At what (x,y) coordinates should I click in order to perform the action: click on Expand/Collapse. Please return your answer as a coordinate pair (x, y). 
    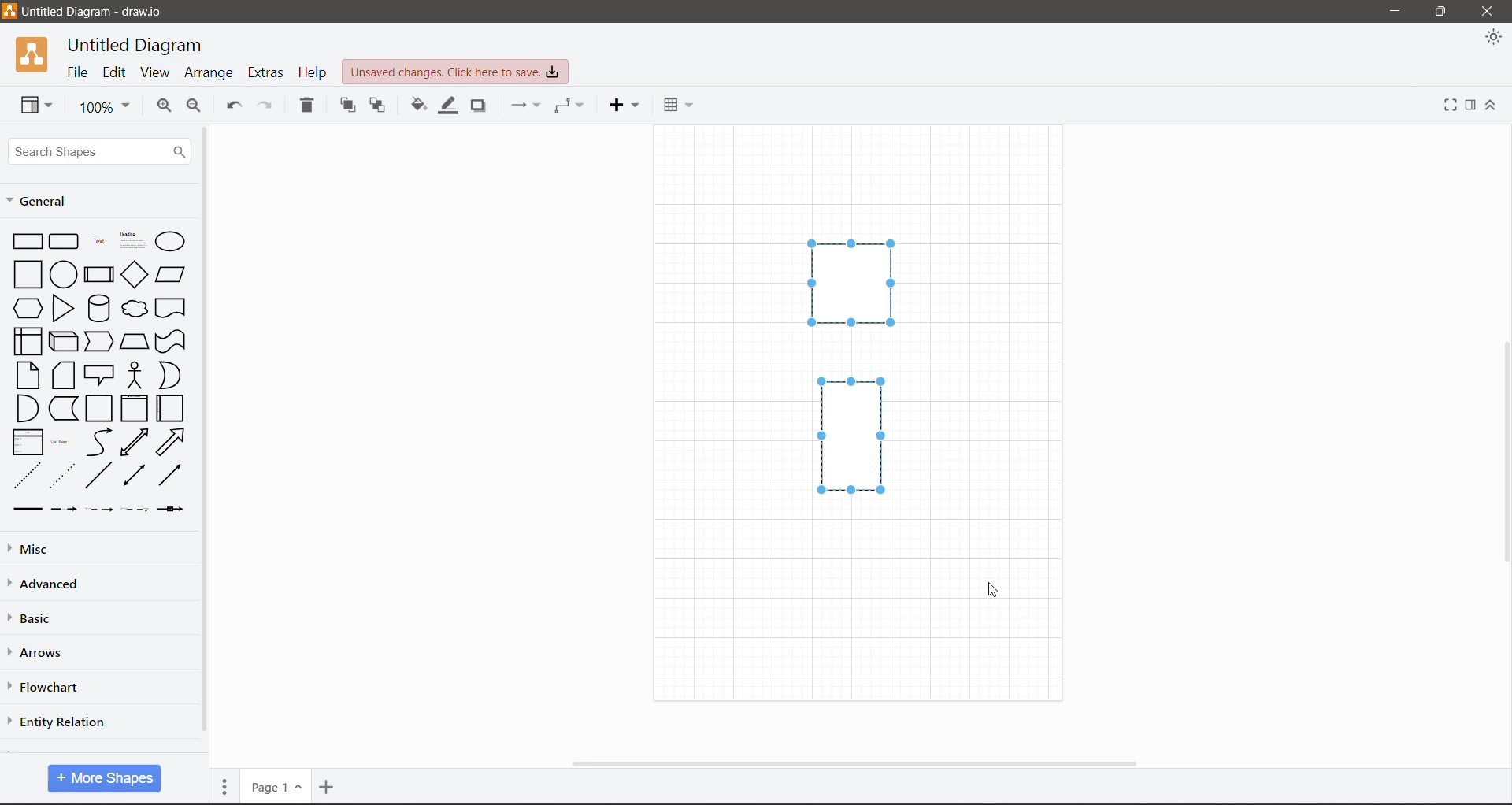
    Looking at the image, I should click on (1492, 106).